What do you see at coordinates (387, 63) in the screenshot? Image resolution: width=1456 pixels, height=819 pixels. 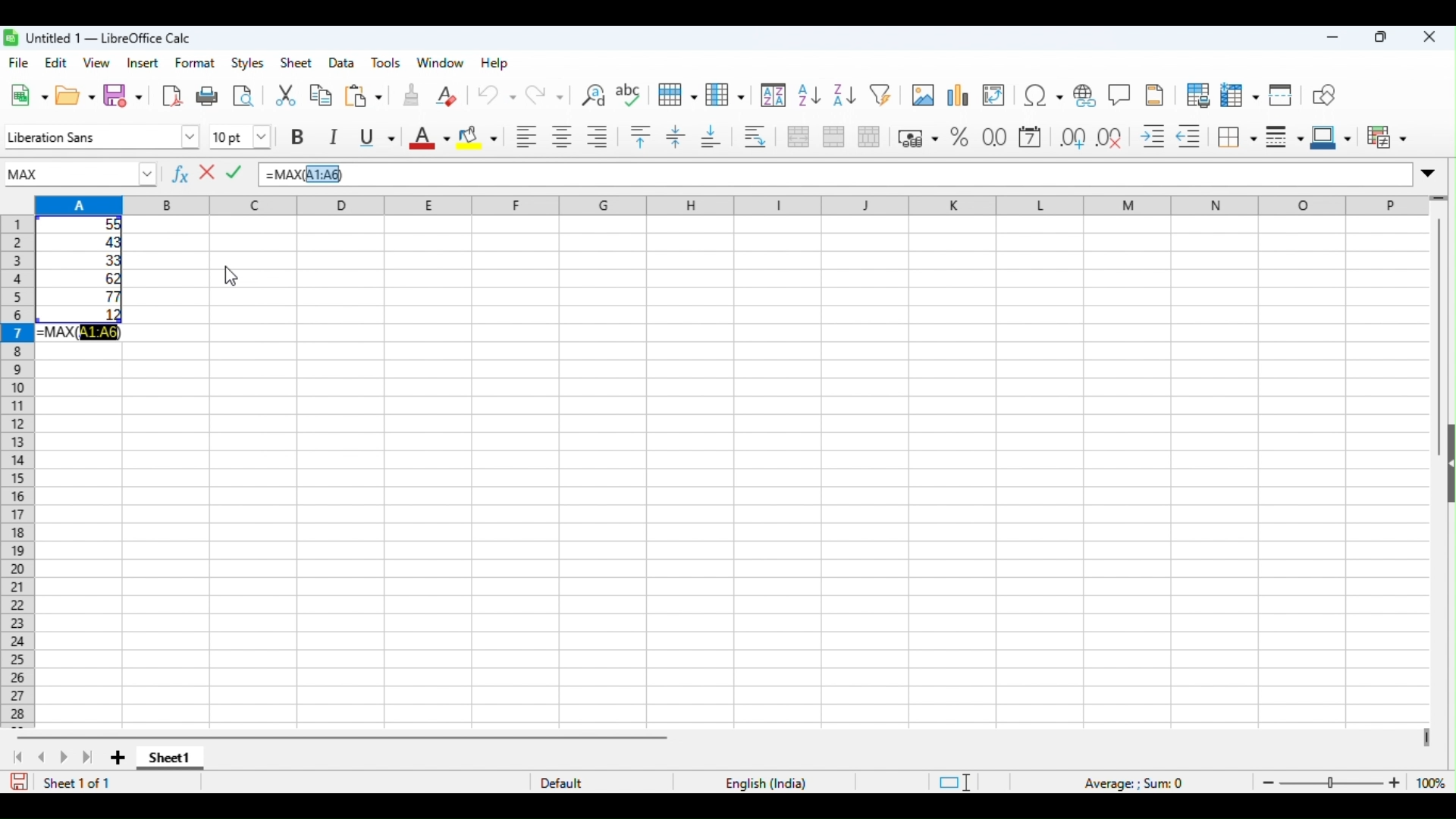 I see `tools` at bounding box center [387, 63].